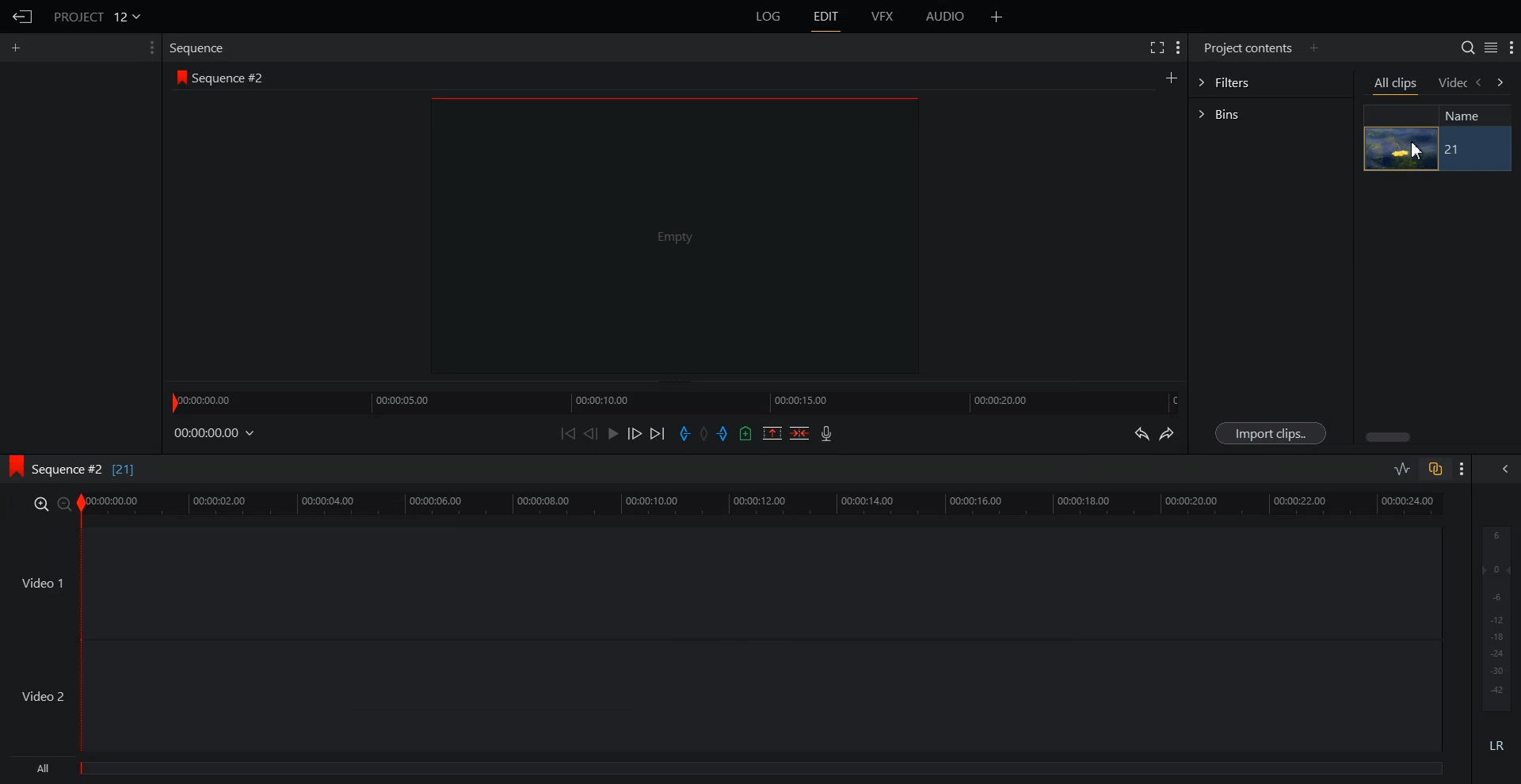 Image resolution: width=1521 pixels, height=784 pixels. Describe the element at coordinates (1469, 116) in the screenshot. I see `Name` at that location.